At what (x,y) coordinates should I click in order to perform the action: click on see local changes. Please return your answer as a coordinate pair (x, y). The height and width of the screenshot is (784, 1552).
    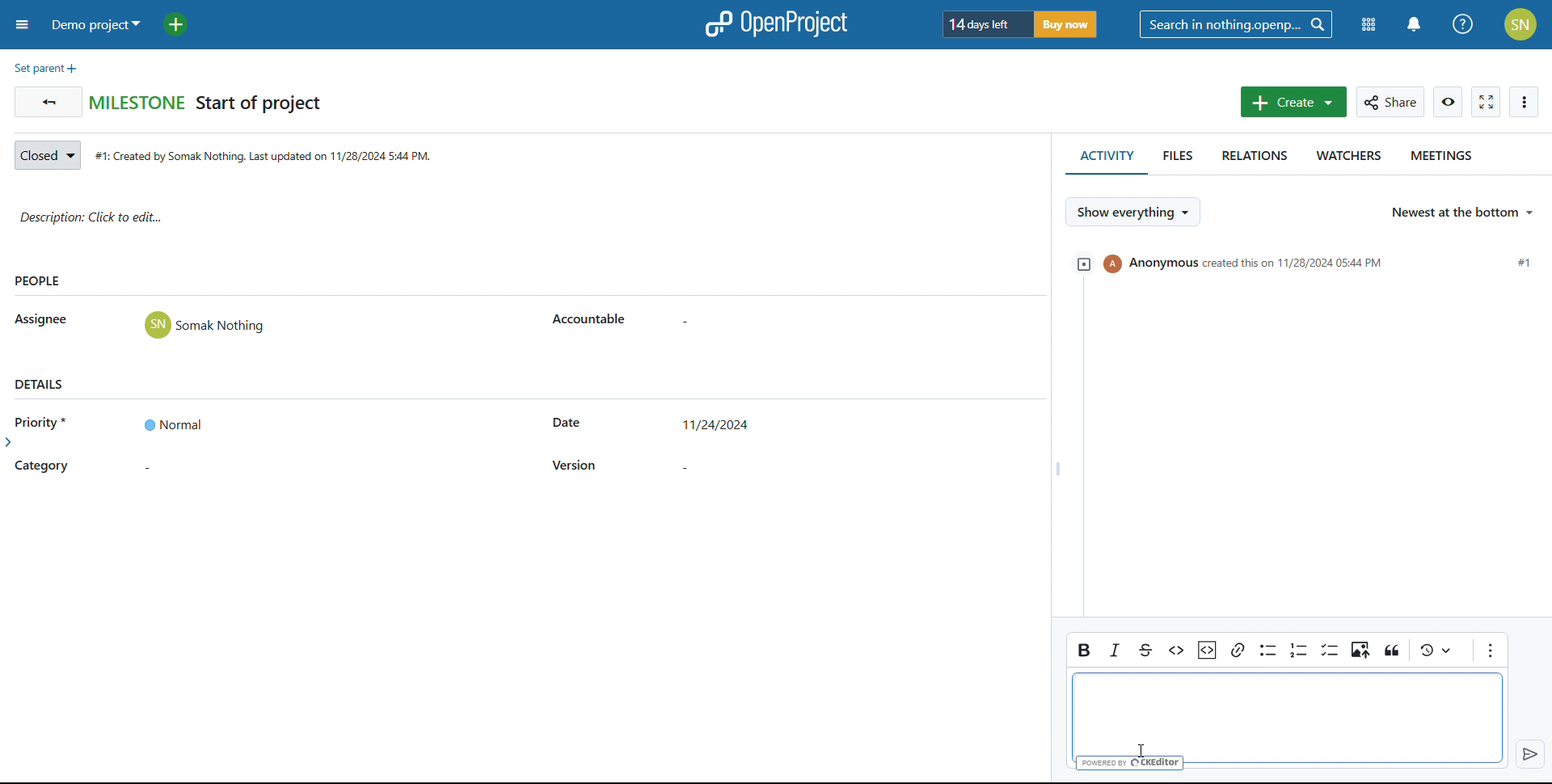
    Looking at the image, I should click on (1392, 651).